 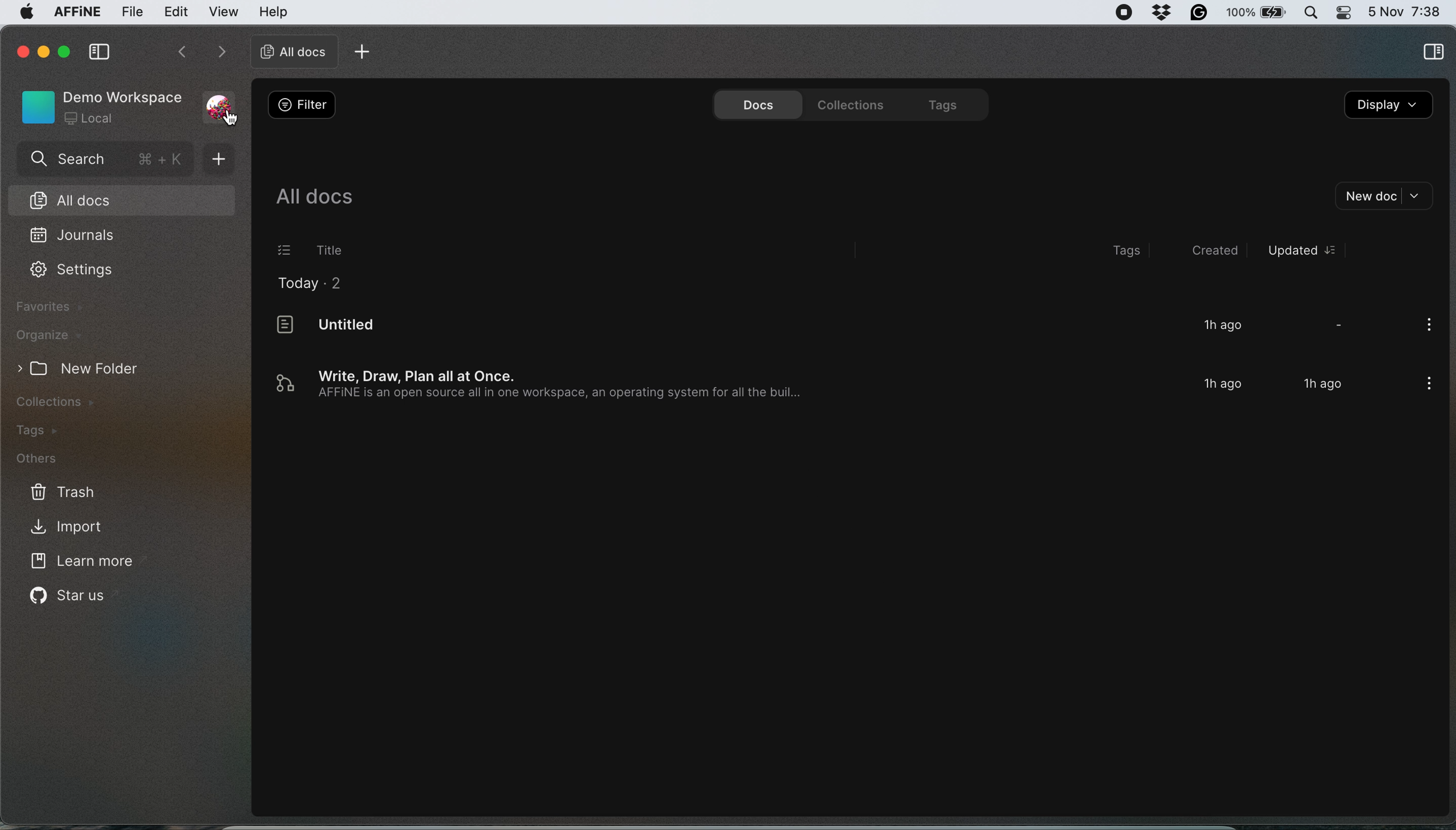 What do you see at coordinates (99, 53) in the screenshot?
I see `collapse side bar` at bounding box center [99, 53].